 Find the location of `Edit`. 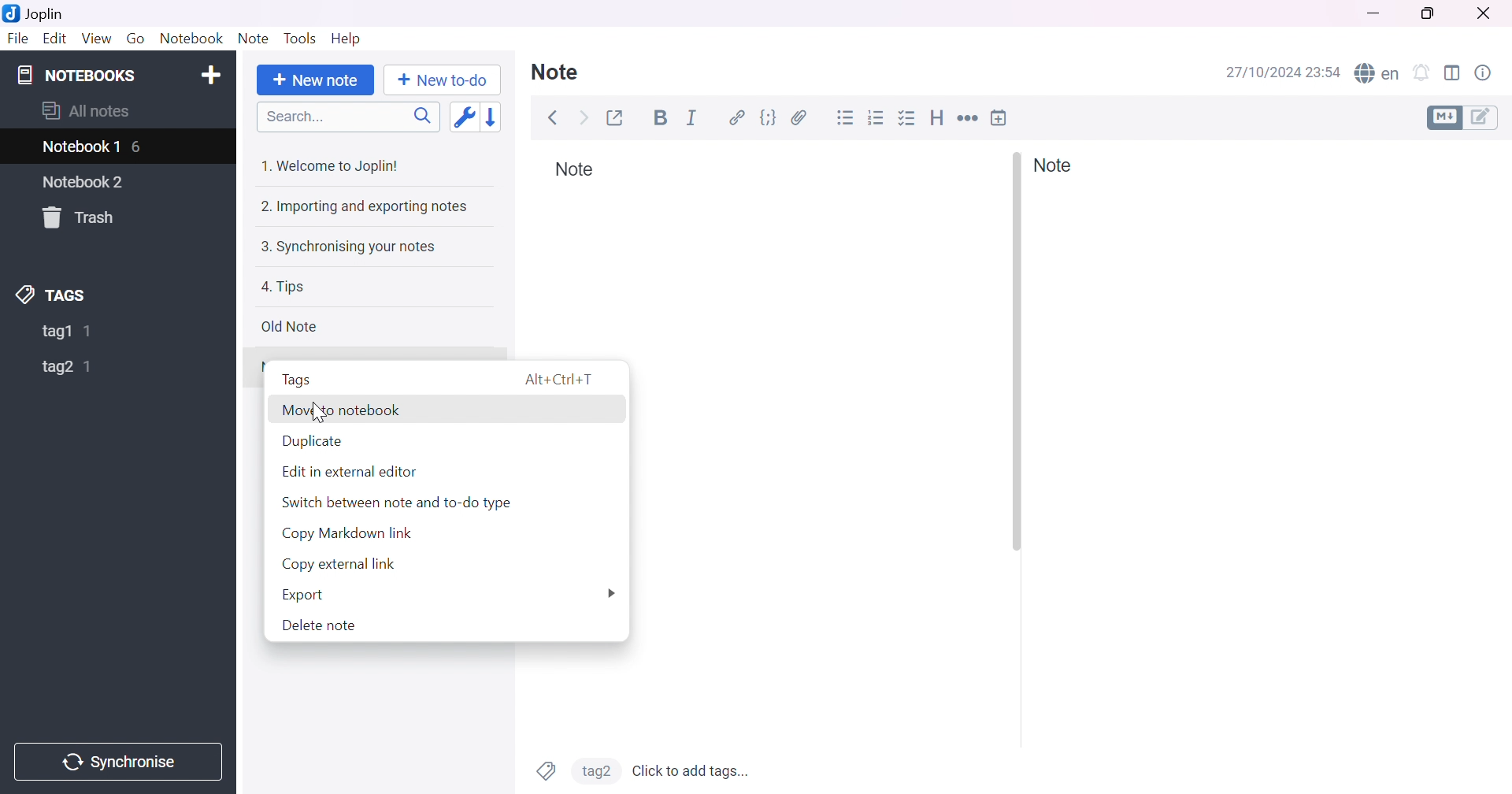

Edit is located at coordinates (56, 41).